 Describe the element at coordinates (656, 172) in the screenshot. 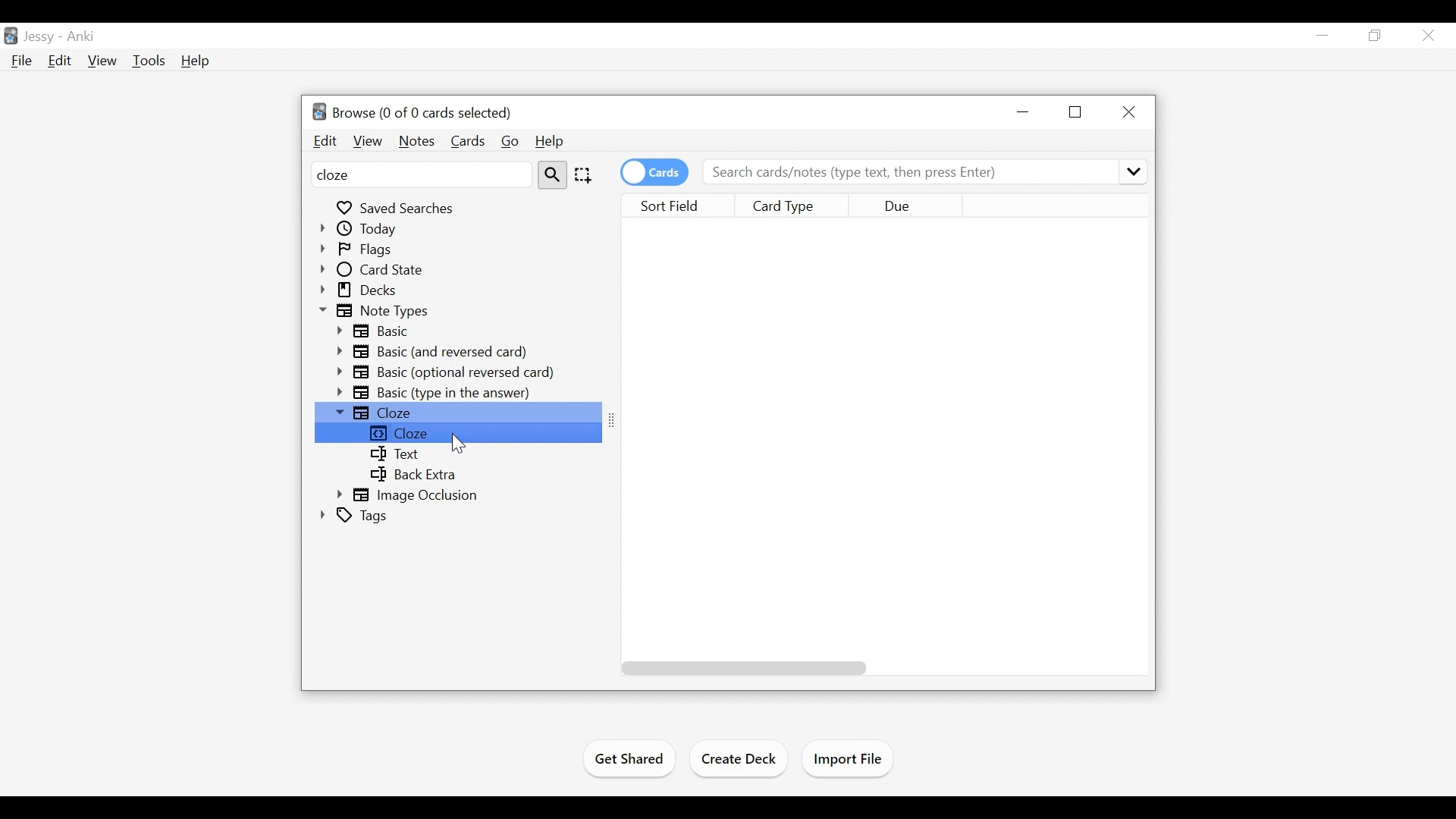

I see `Toggle Cards` at that location.